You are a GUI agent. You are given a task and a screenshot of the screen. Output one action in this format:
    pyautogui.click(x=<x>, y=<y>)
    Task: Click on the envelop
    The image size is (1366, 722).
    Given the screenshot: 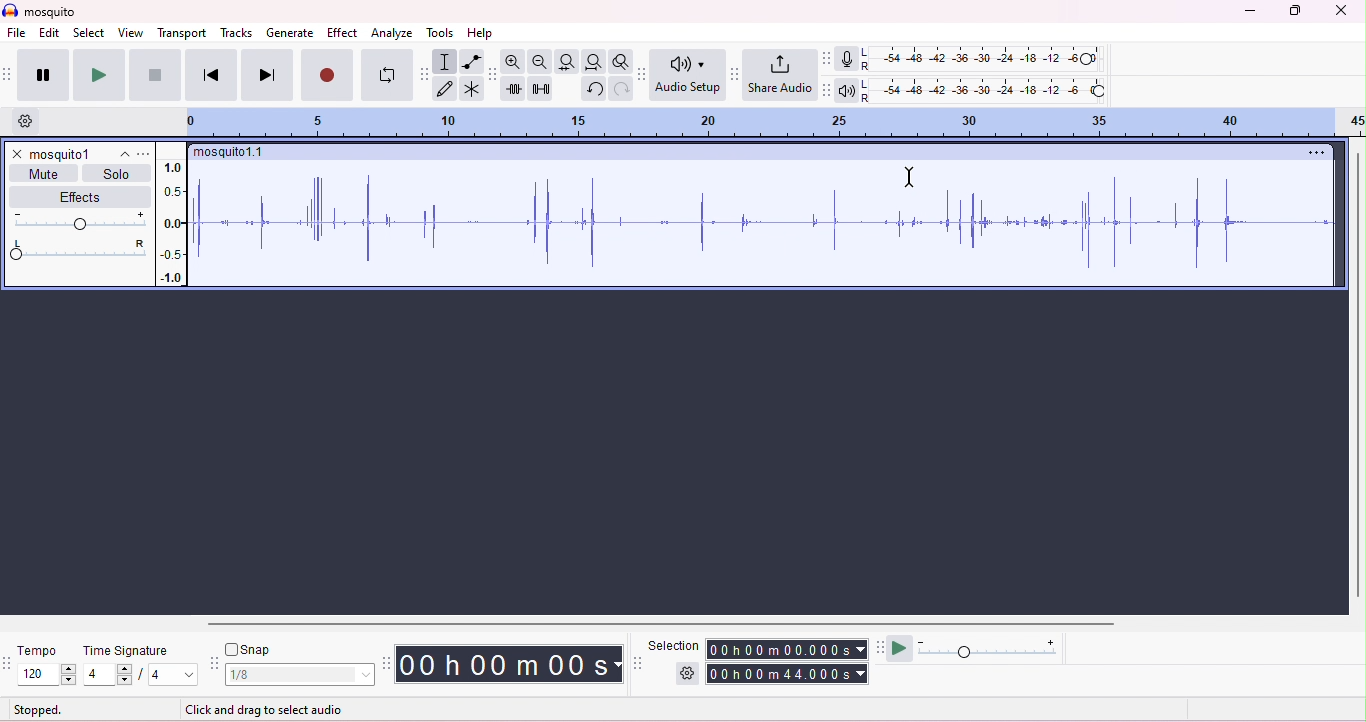 What is the action you would take?
    pyautogui.click(x=472, y=61)
    